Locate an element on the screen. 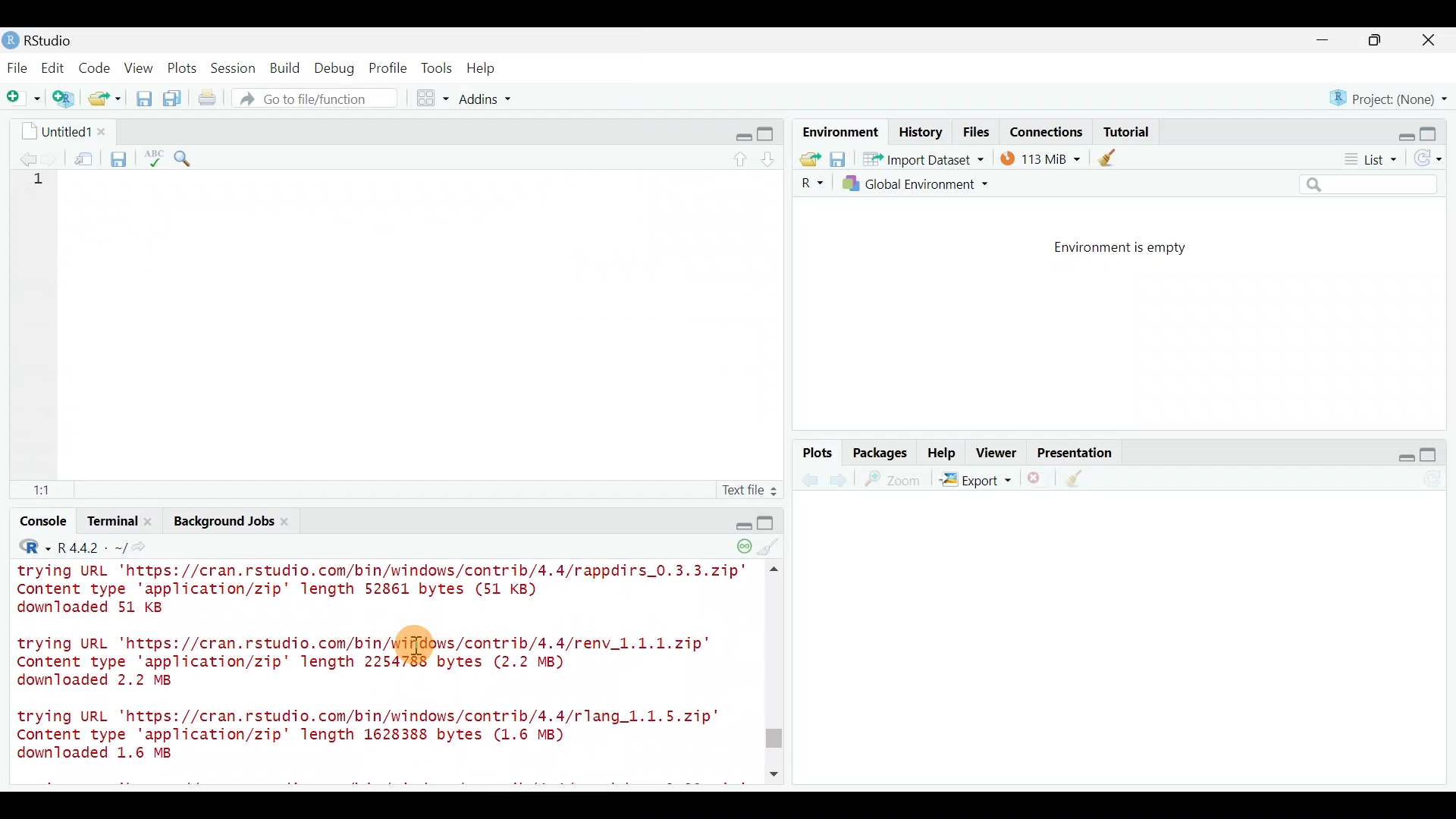  save workspace as is located at coordinates (838, 159).